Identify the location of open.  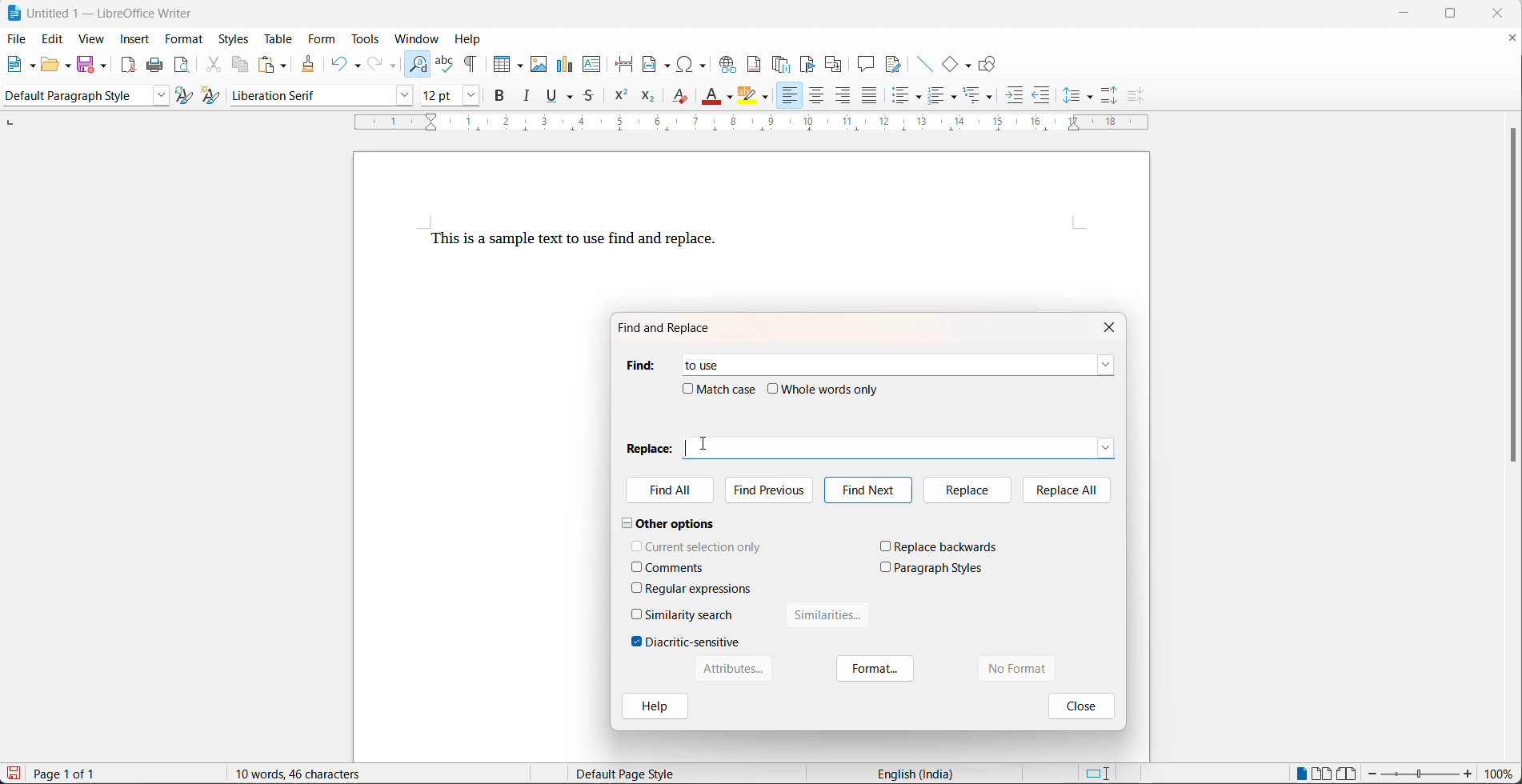
(50, 66).